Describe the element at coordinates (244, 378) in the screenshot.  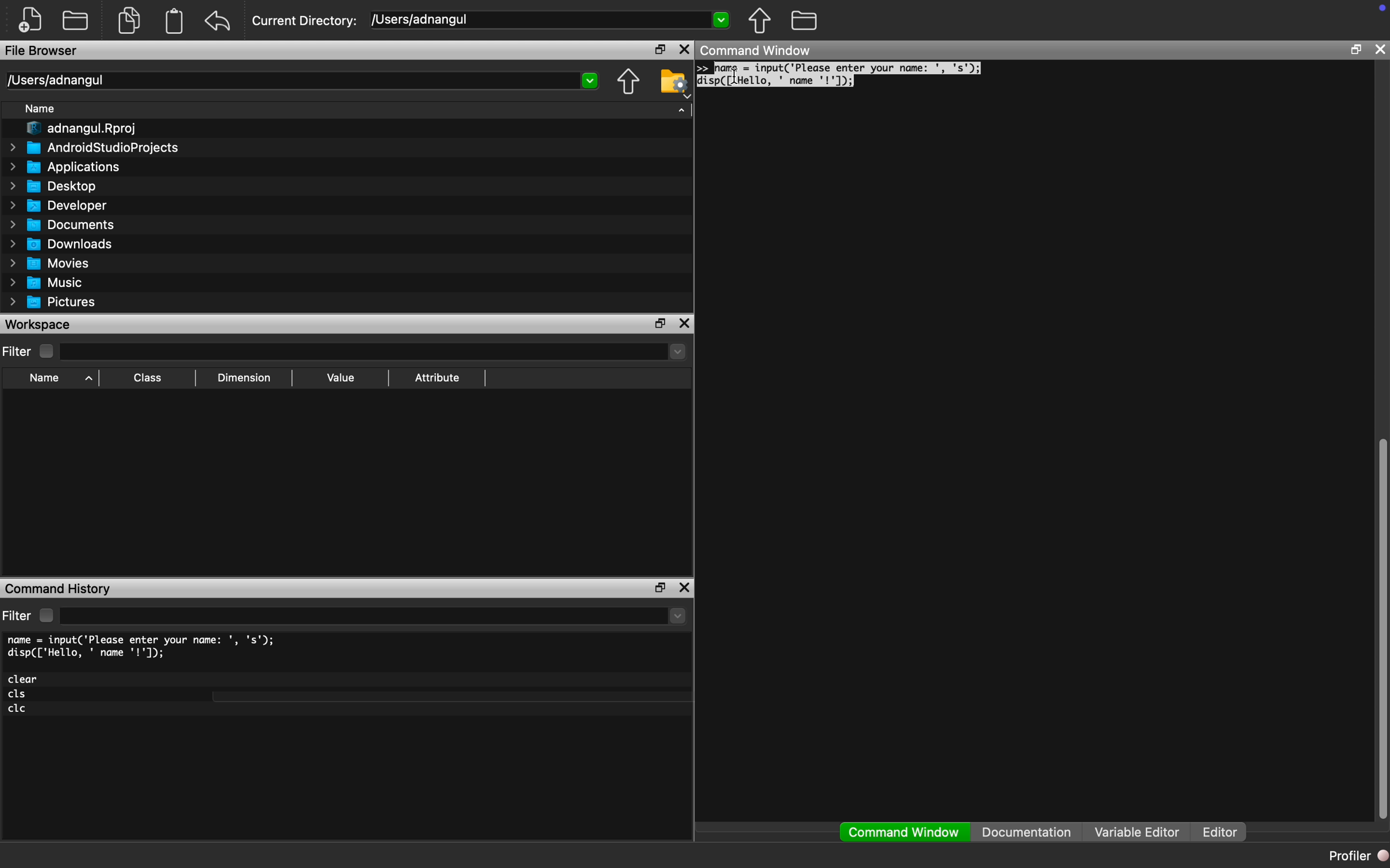
I see `Dimension` at that location.